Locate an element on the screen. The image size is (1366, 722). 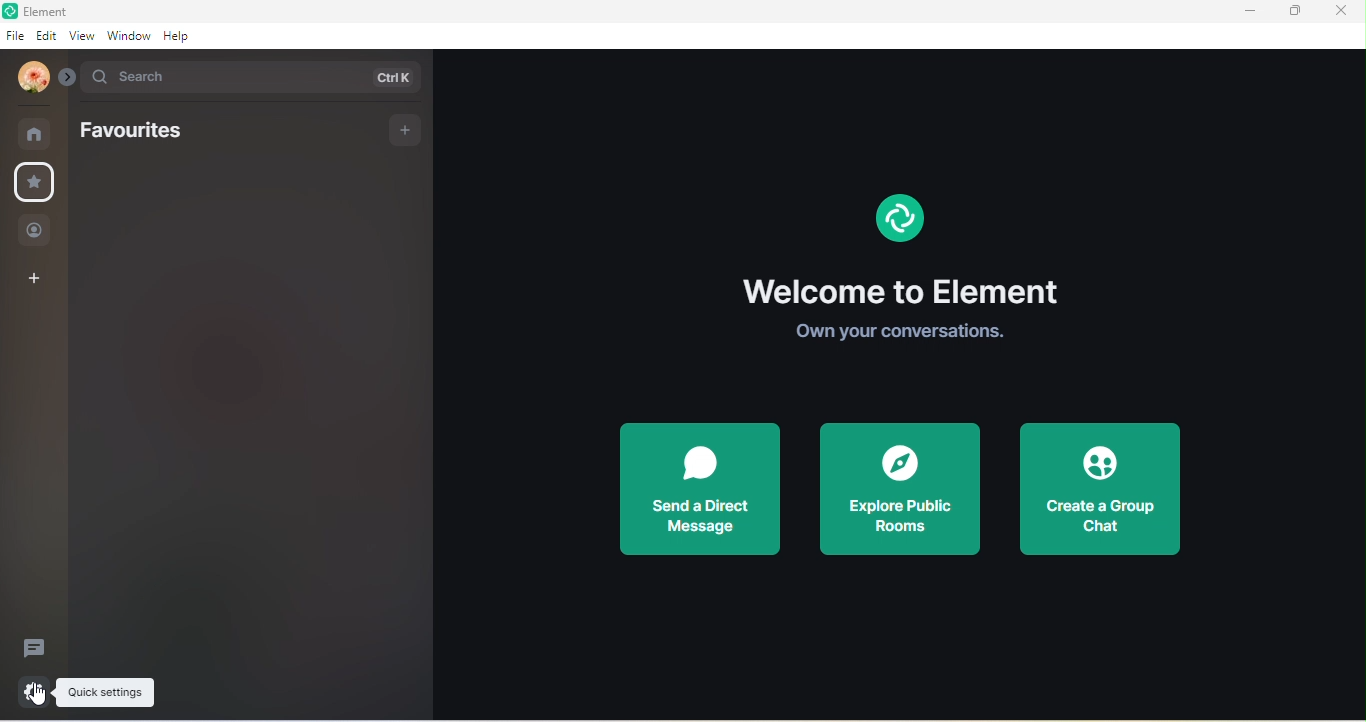
window is located at coordinates (129, 35).